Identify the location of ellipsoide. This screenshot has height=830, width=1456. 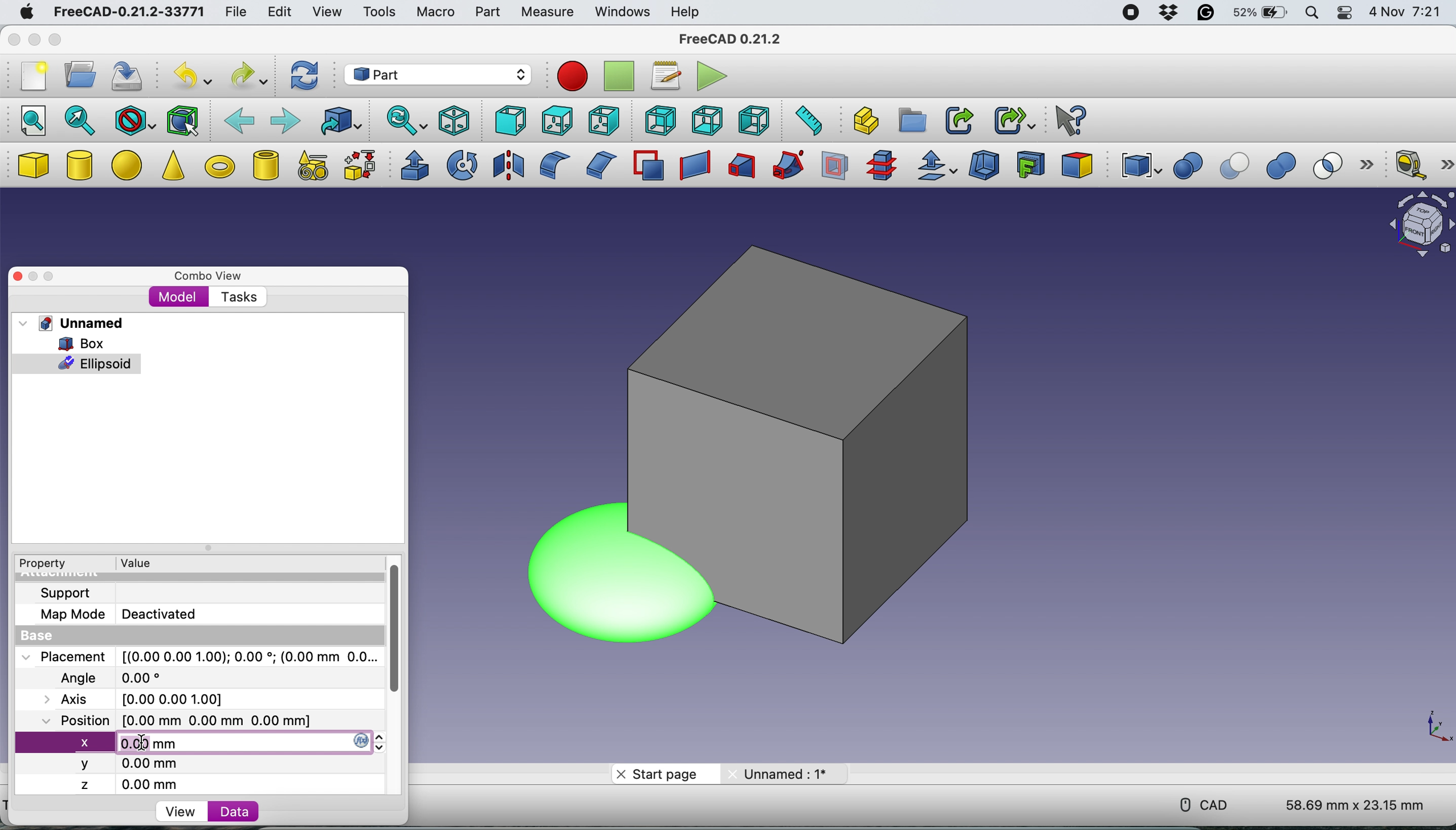
(570, 574).